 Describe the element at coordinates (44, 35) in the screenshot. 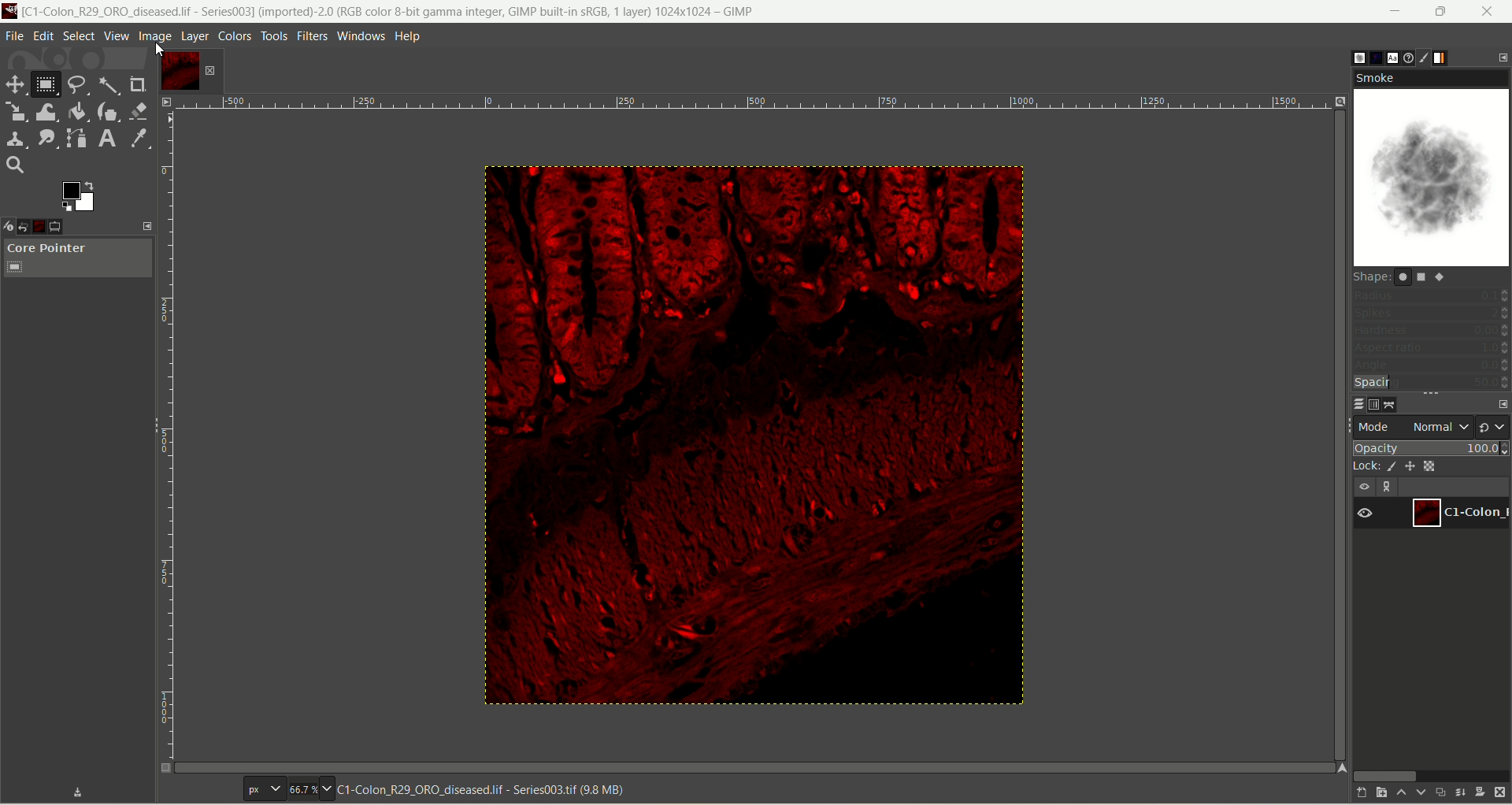

I see `edit` at that location.